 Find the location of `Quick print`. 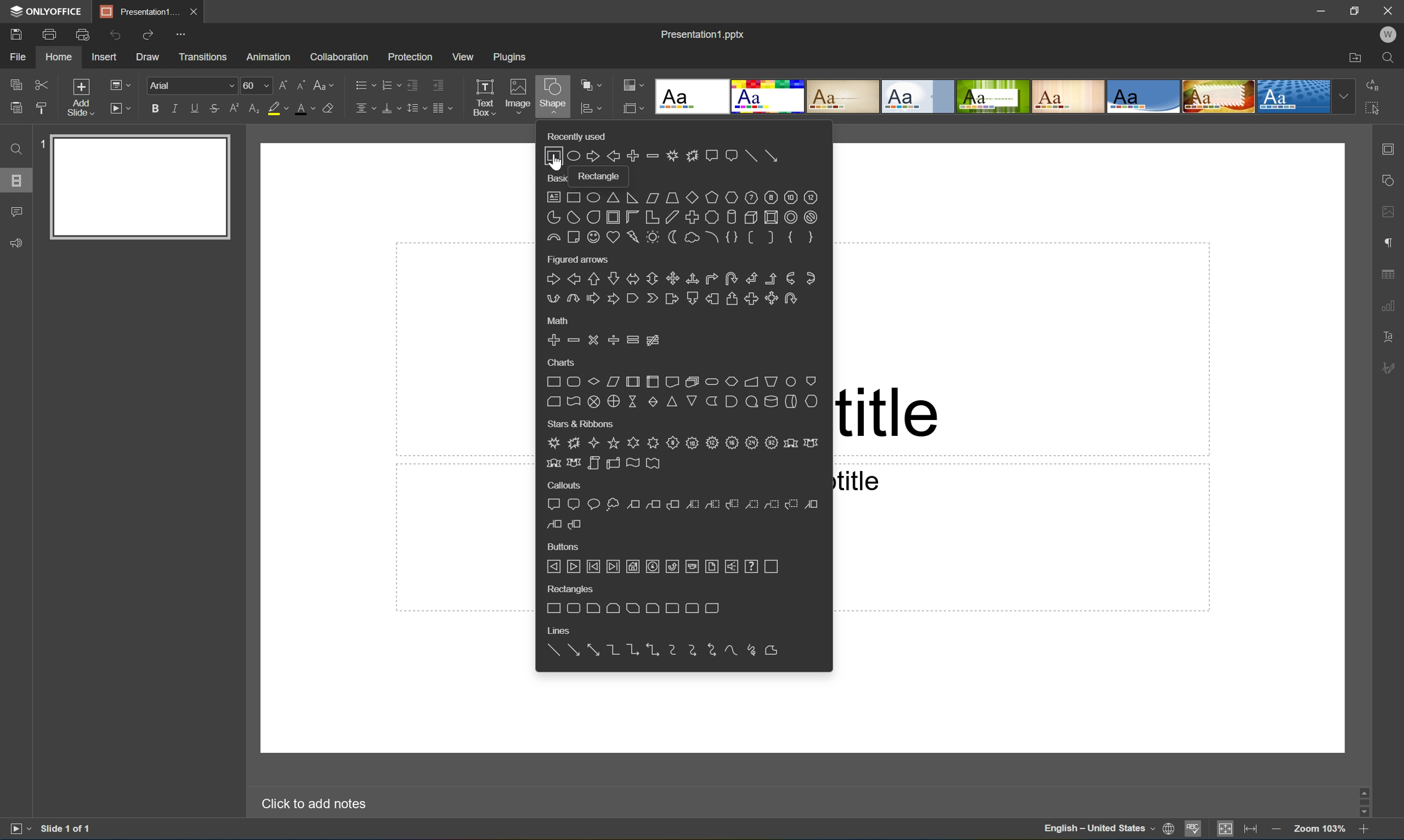

Quick print is located at coordinates (83, 34).